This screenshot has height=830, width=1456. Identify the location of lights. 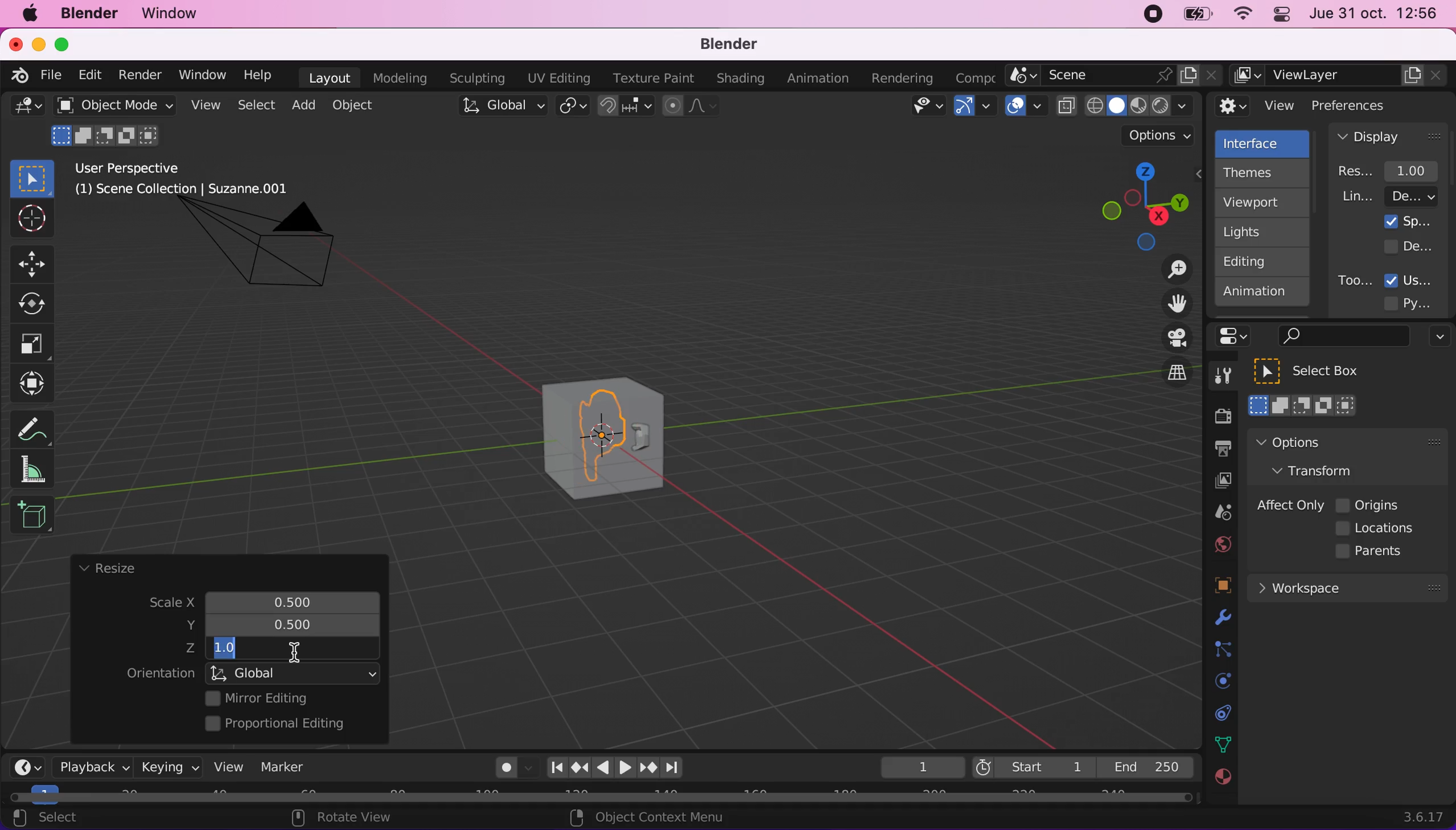
(1265, 233).